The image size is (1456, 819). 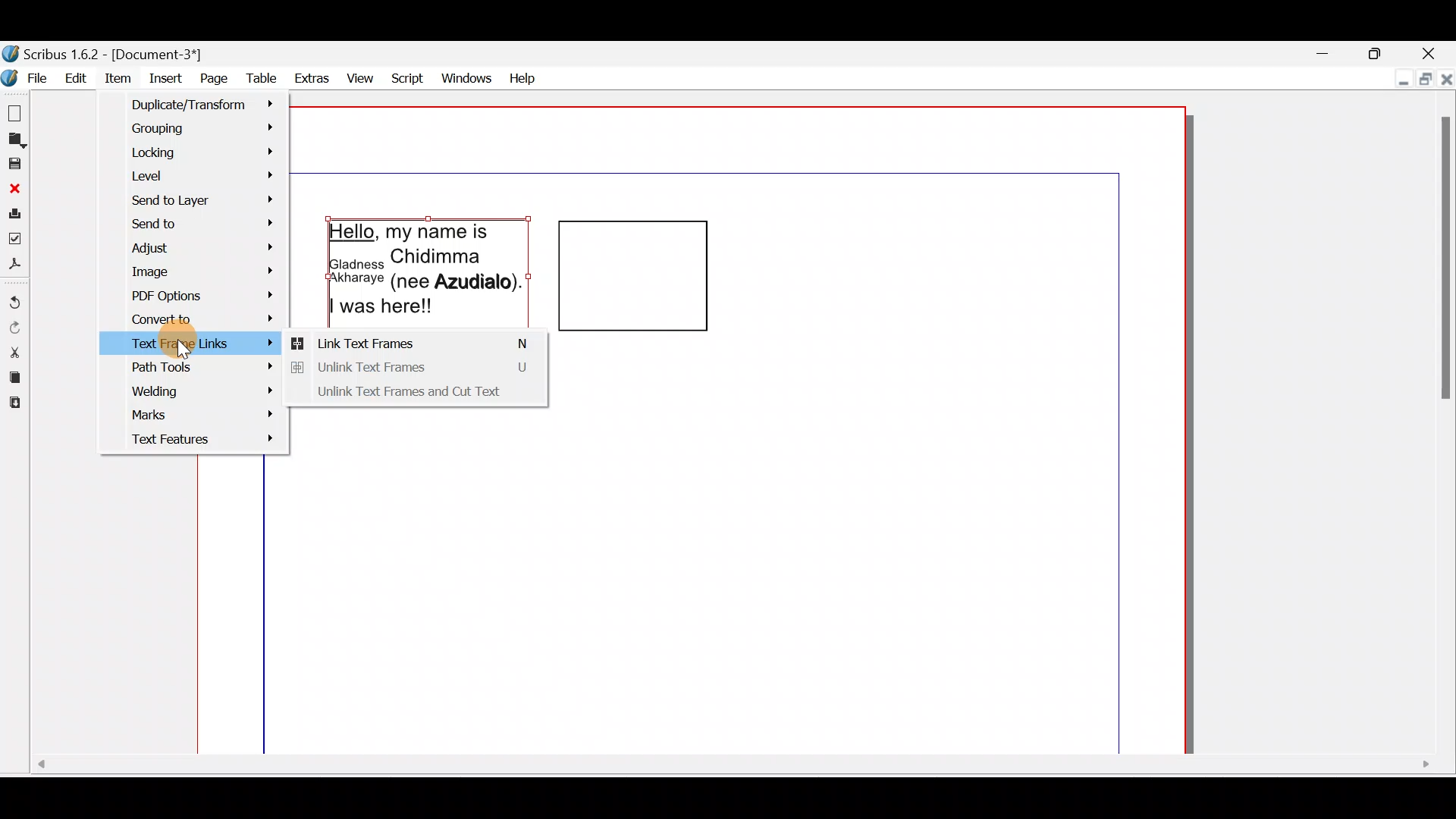 What do you see at coordinates (210, 77) in the screenshot?
I see `Page` at bounding box center [210, 77].